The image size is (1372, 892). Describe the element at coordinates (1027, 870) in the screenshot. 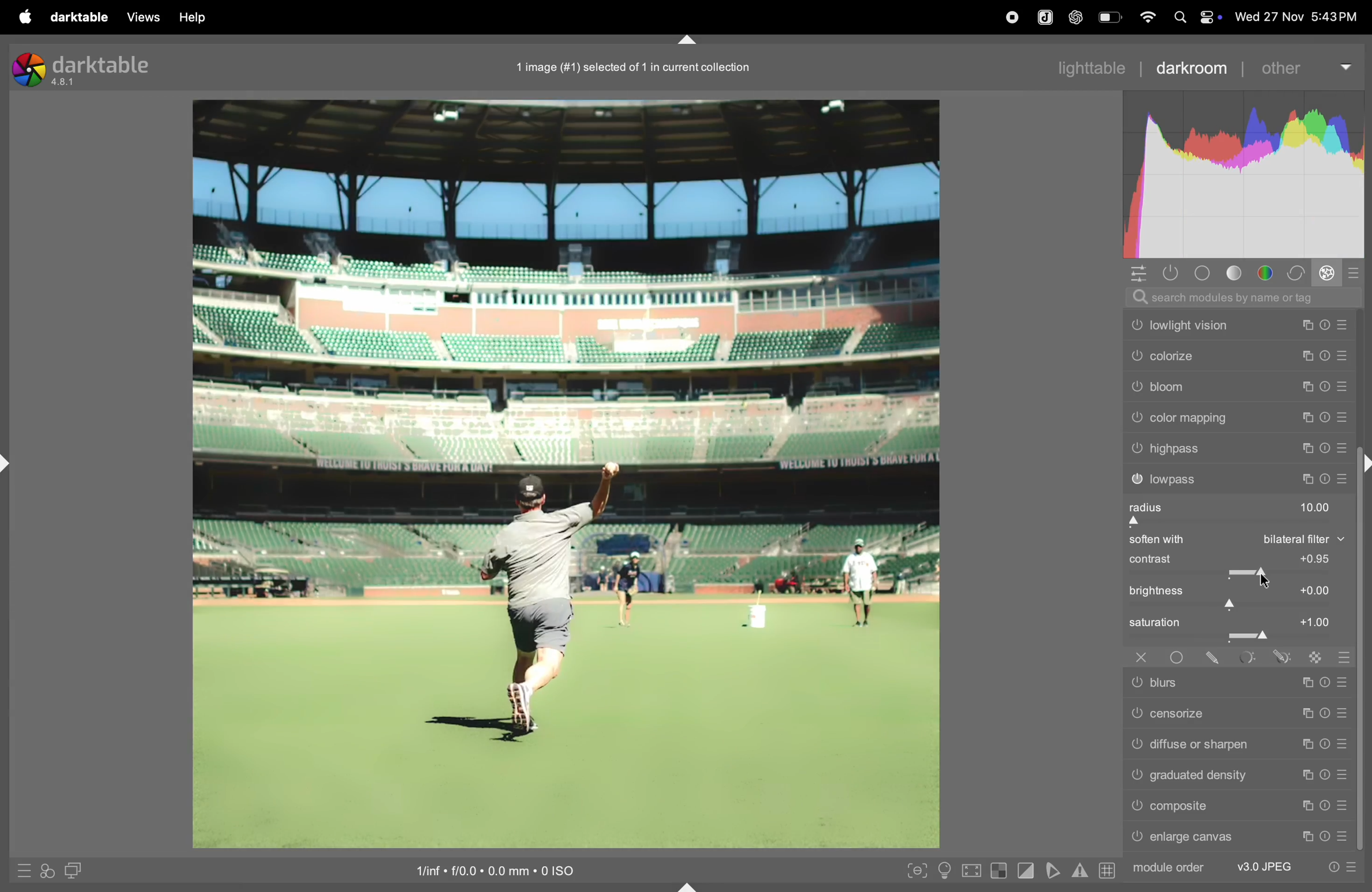

I see `toggle clipping indications` at that location.